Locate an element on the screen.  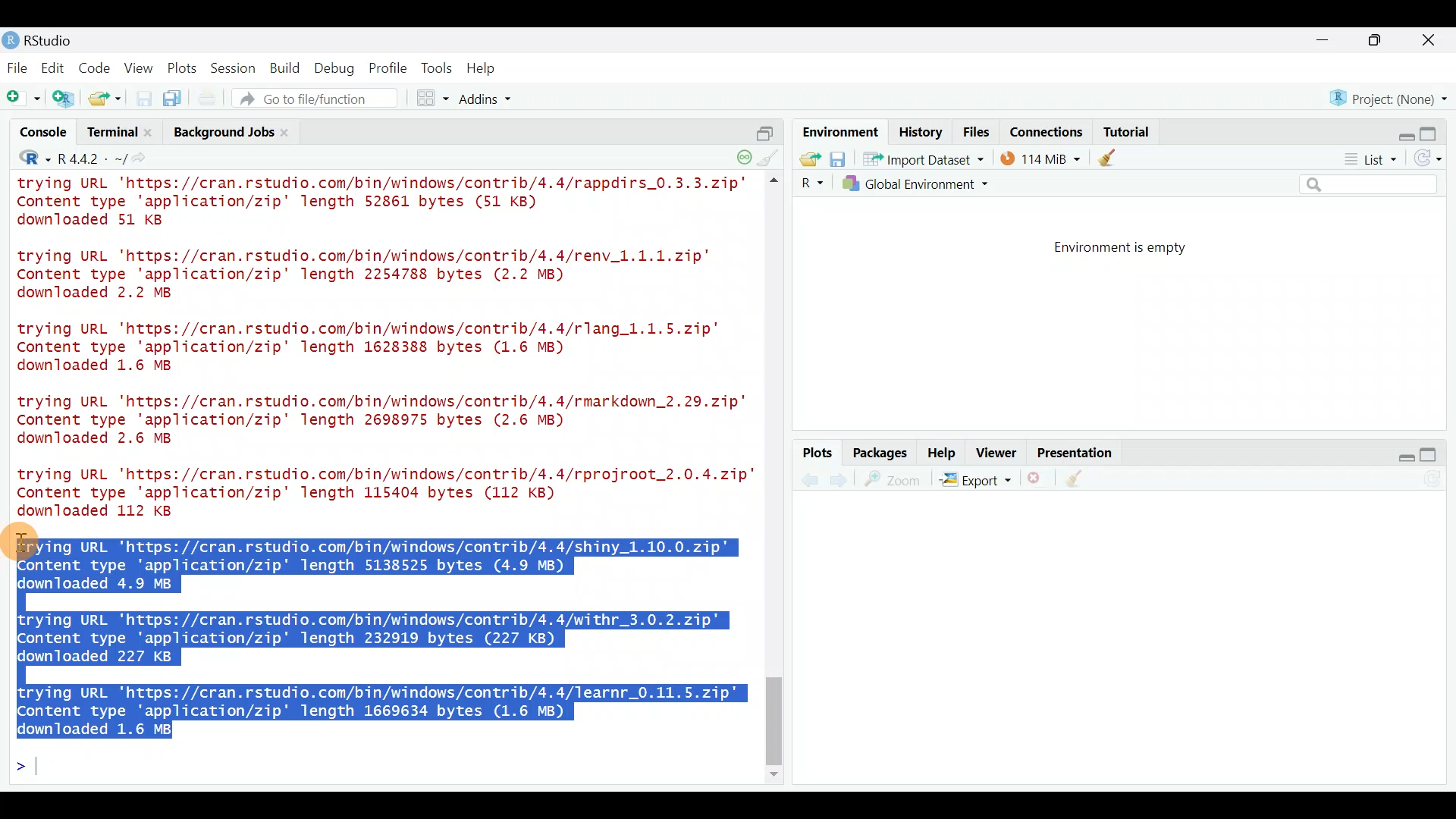
save workspace as is located at coordinates (838, 159).